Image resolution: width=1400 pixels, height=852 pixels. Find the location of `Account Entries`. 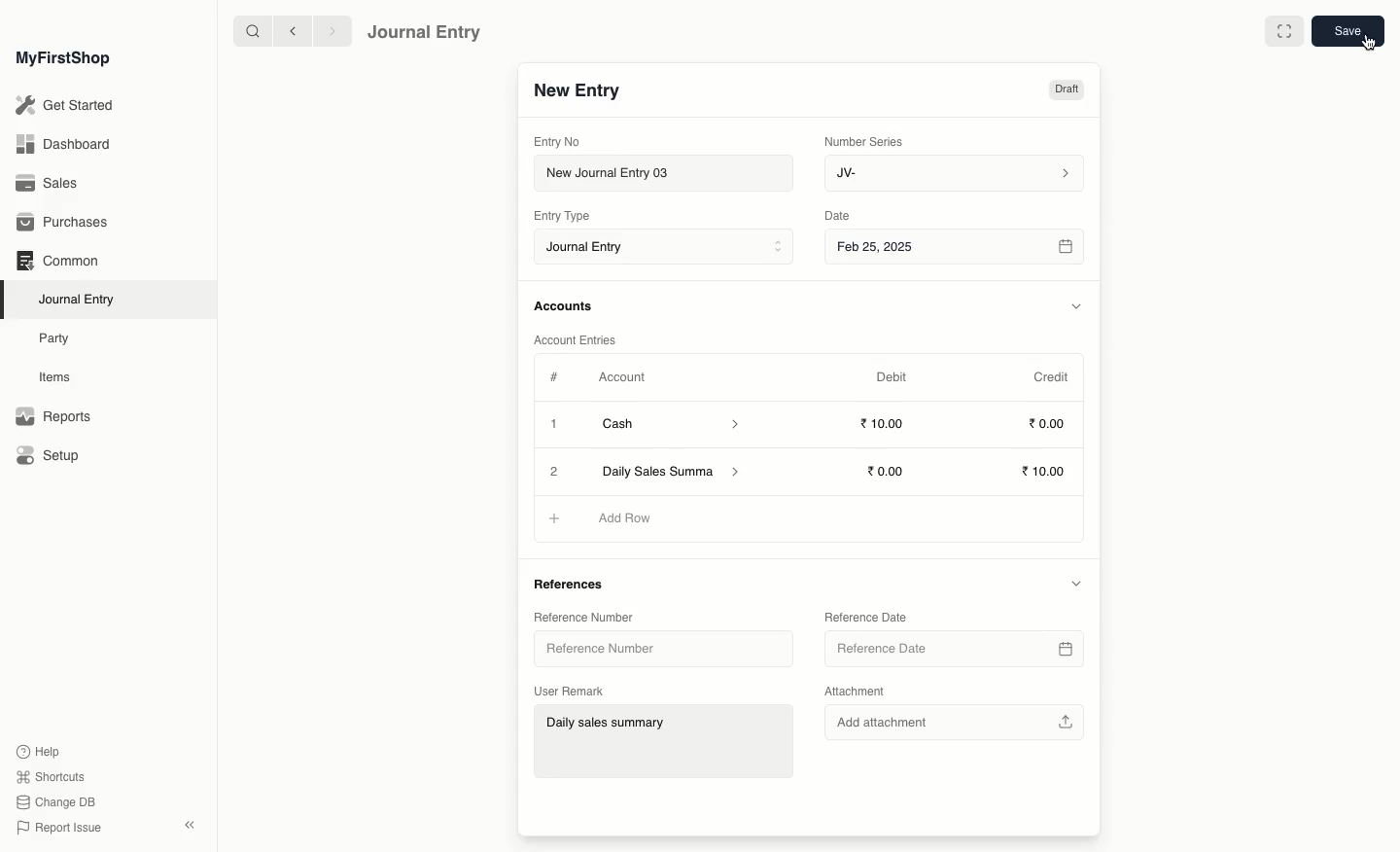

Account Entries is located at coordinates (582, 340).